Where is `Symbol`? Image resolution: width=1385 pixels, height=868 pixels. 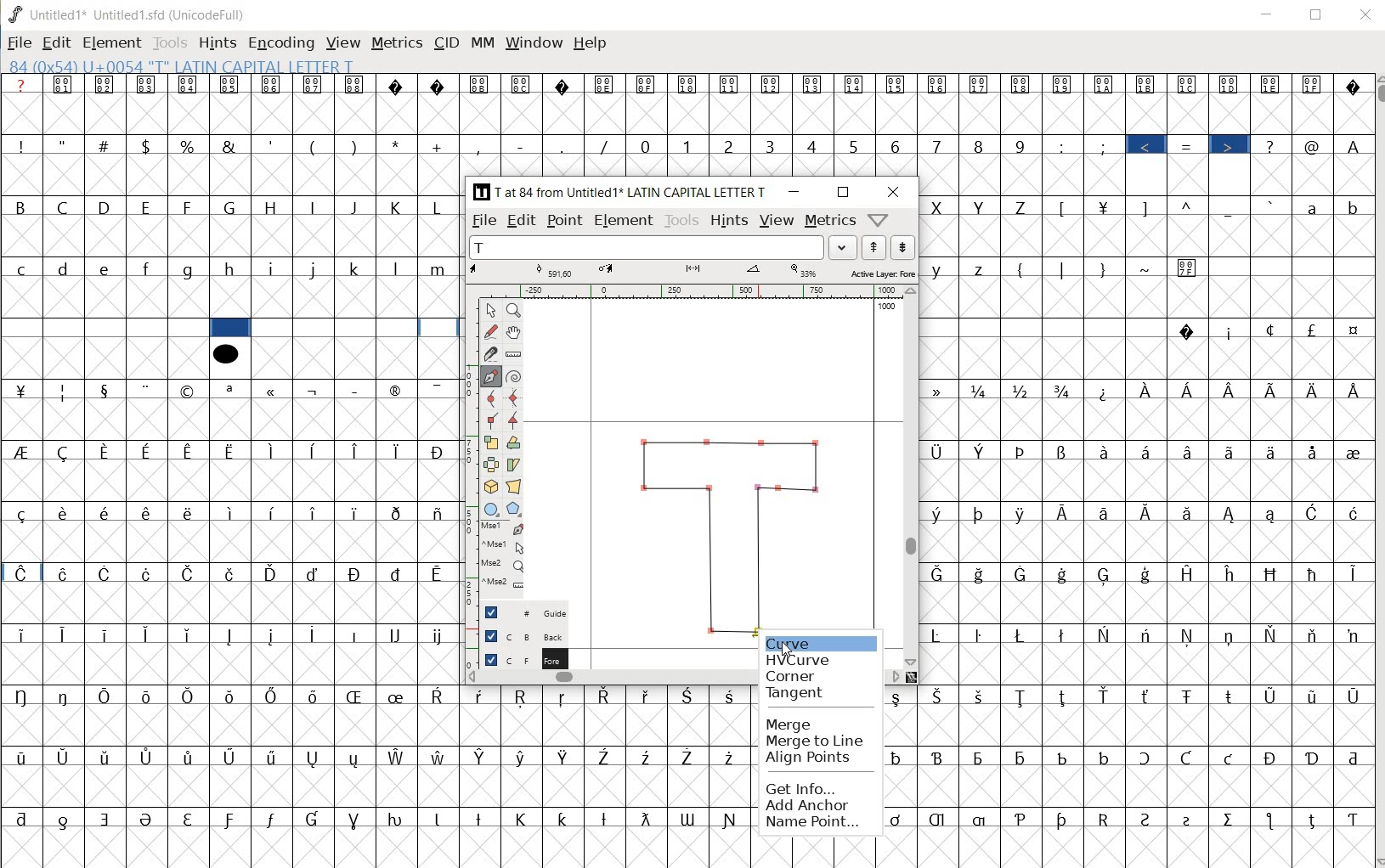
Symbol is located at coordinates (189, 392).